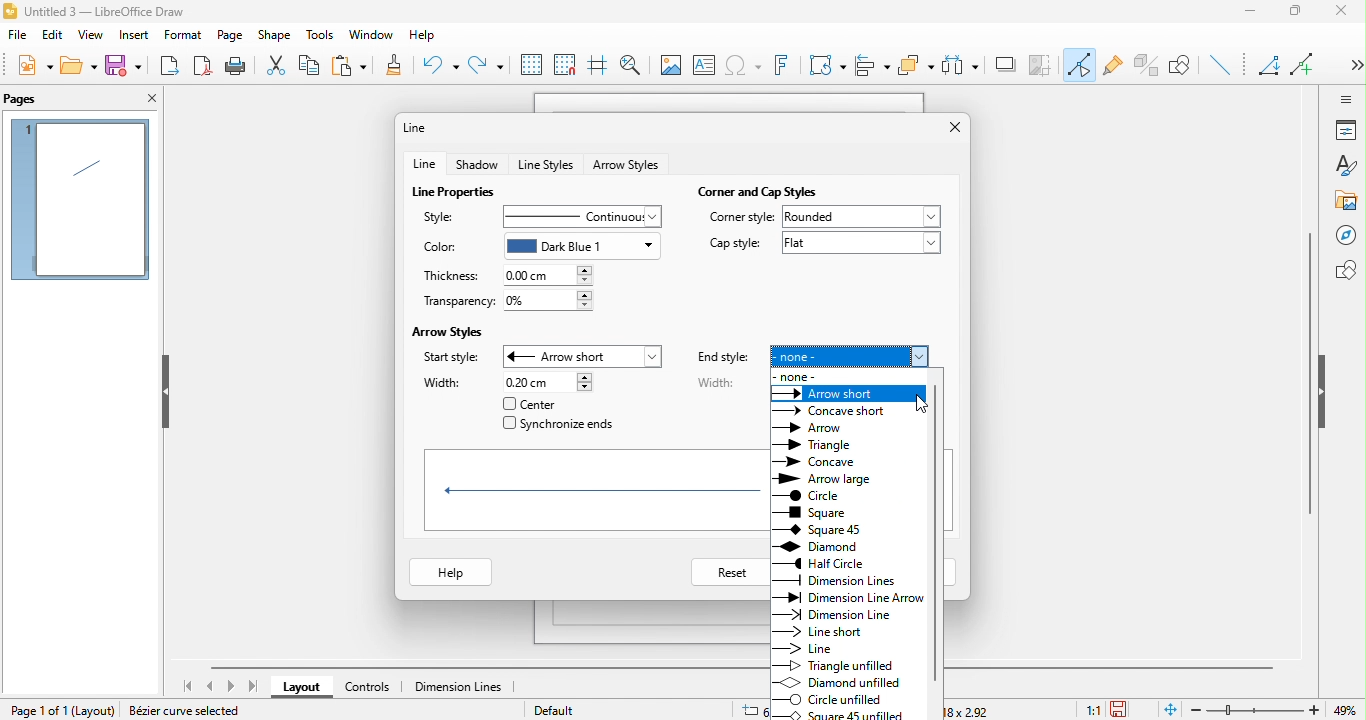 The image size is (1366, 720). Describe the element at coordinates (441, 67) in the screenshot. I see `undo` at that location.